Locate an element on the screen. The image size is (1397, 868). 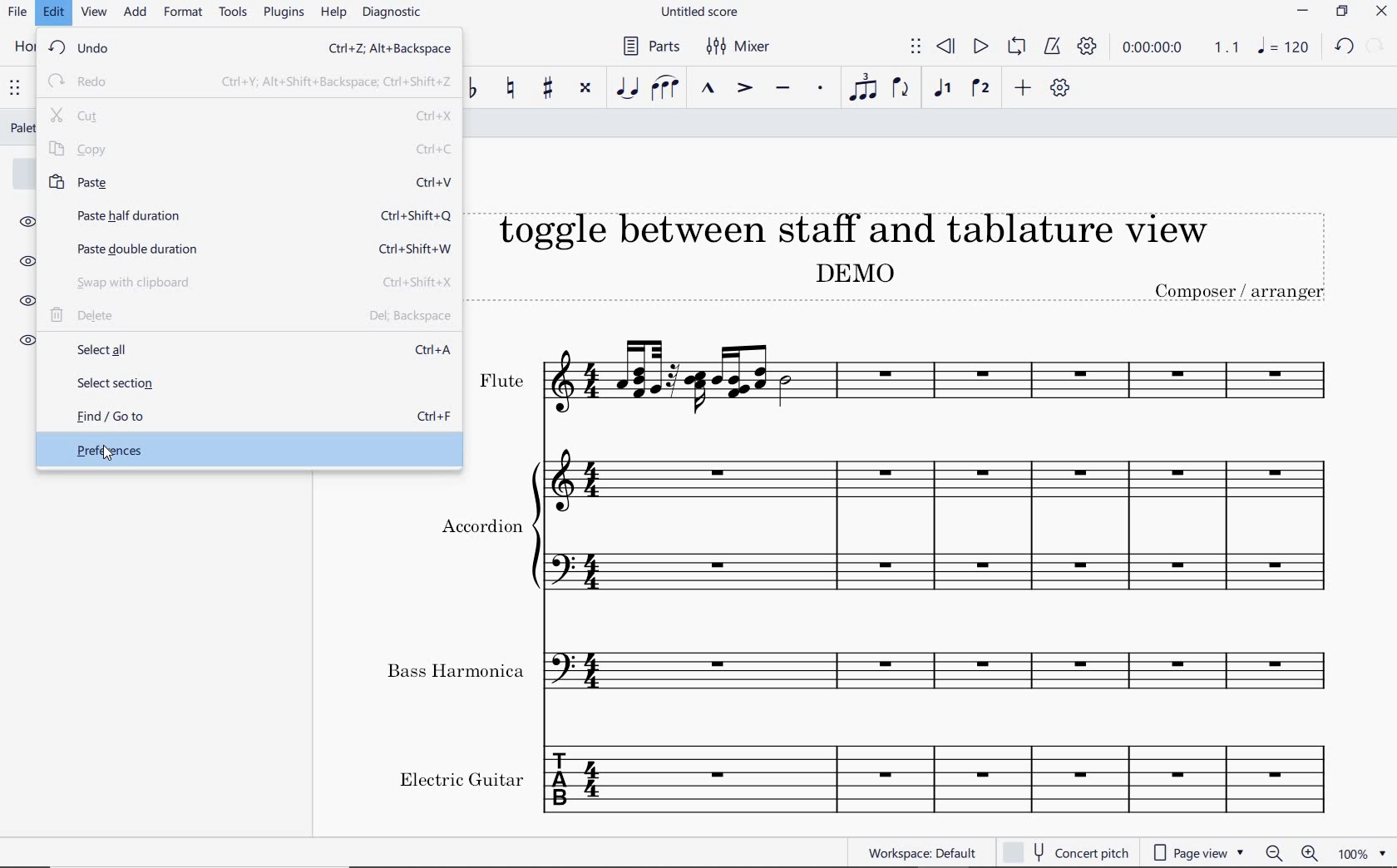
file name is located at coordinates (698, 12).